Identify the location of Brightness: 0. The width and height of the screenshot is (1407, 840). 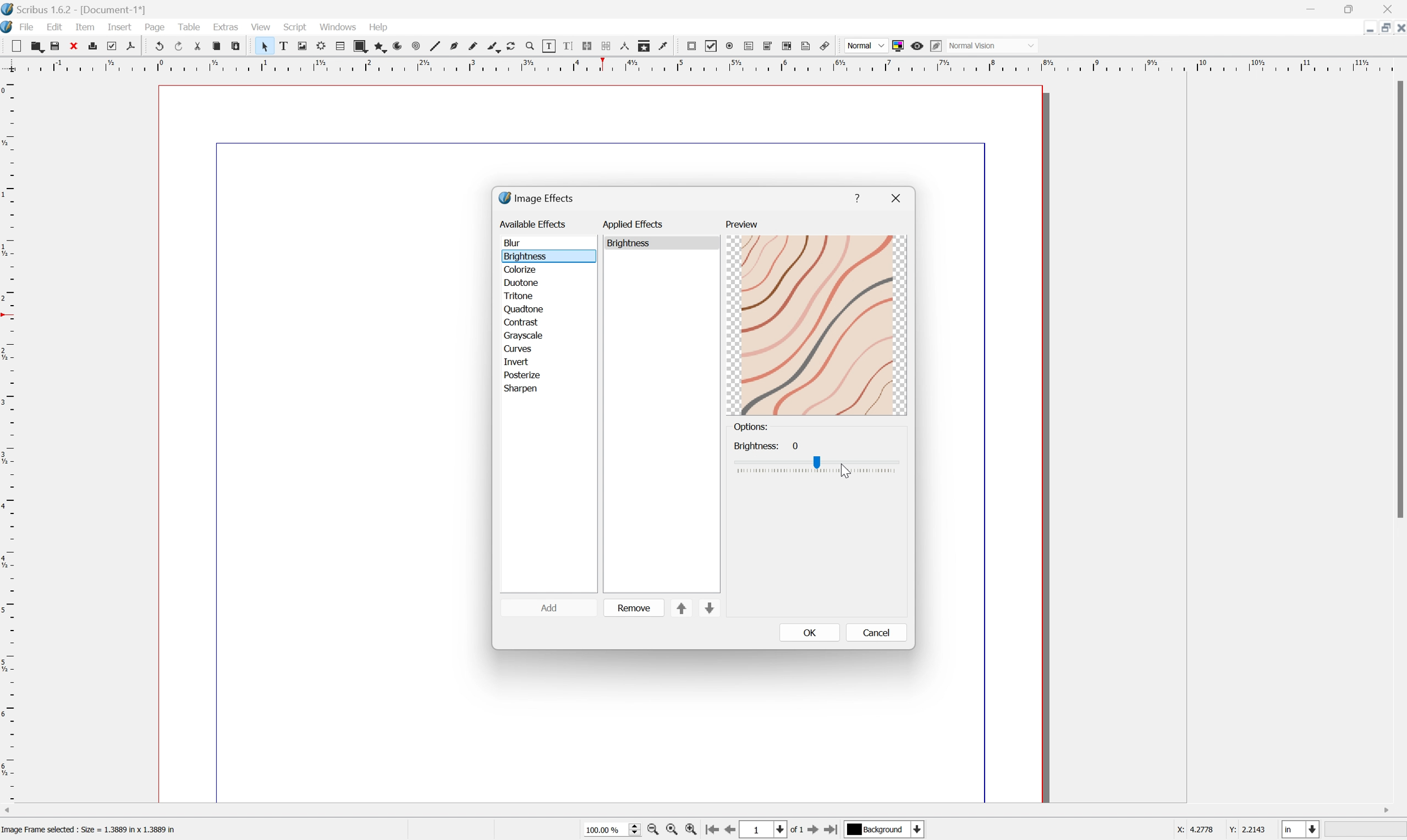
(767, 445).